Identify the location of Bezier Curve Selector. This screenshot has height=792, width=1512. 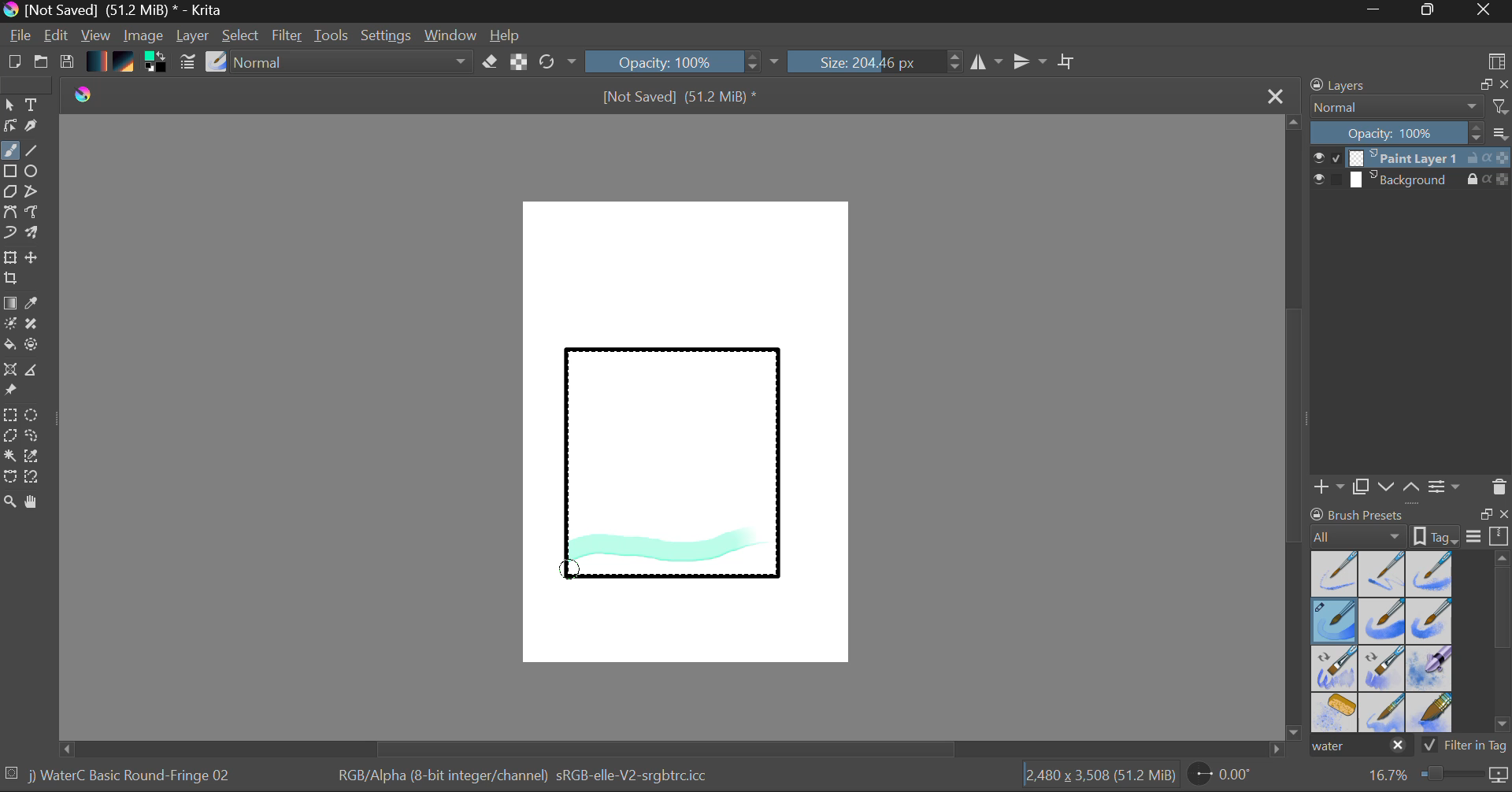
(9, 478).